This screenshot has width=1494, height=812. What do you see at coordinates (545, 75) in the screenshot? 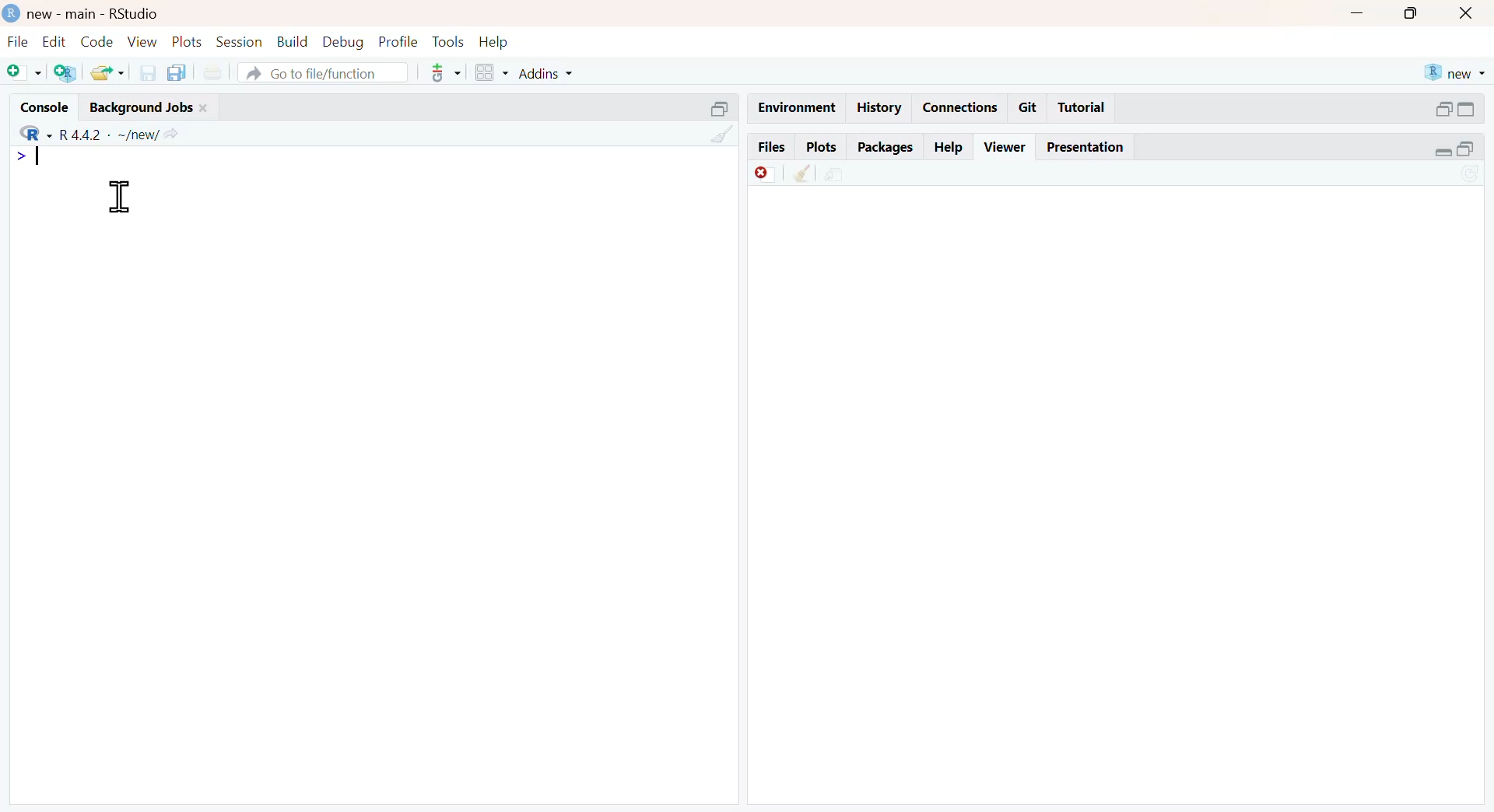
I see `addins` at bounding box center [545, 75].